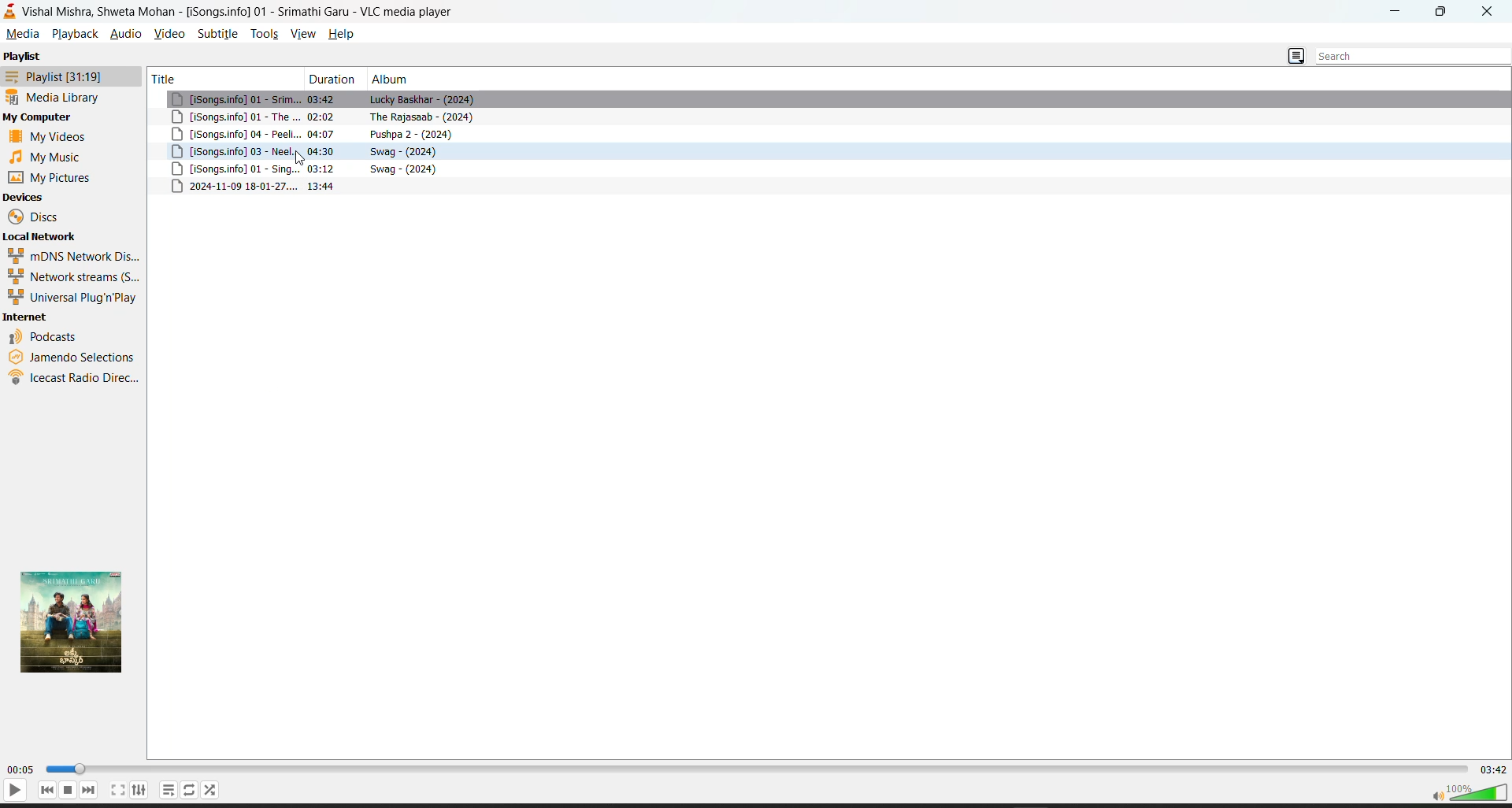  What do you see at coordinates (19, 770) in the screenshot?
I see `current track time` at bounding box center [19, 770].